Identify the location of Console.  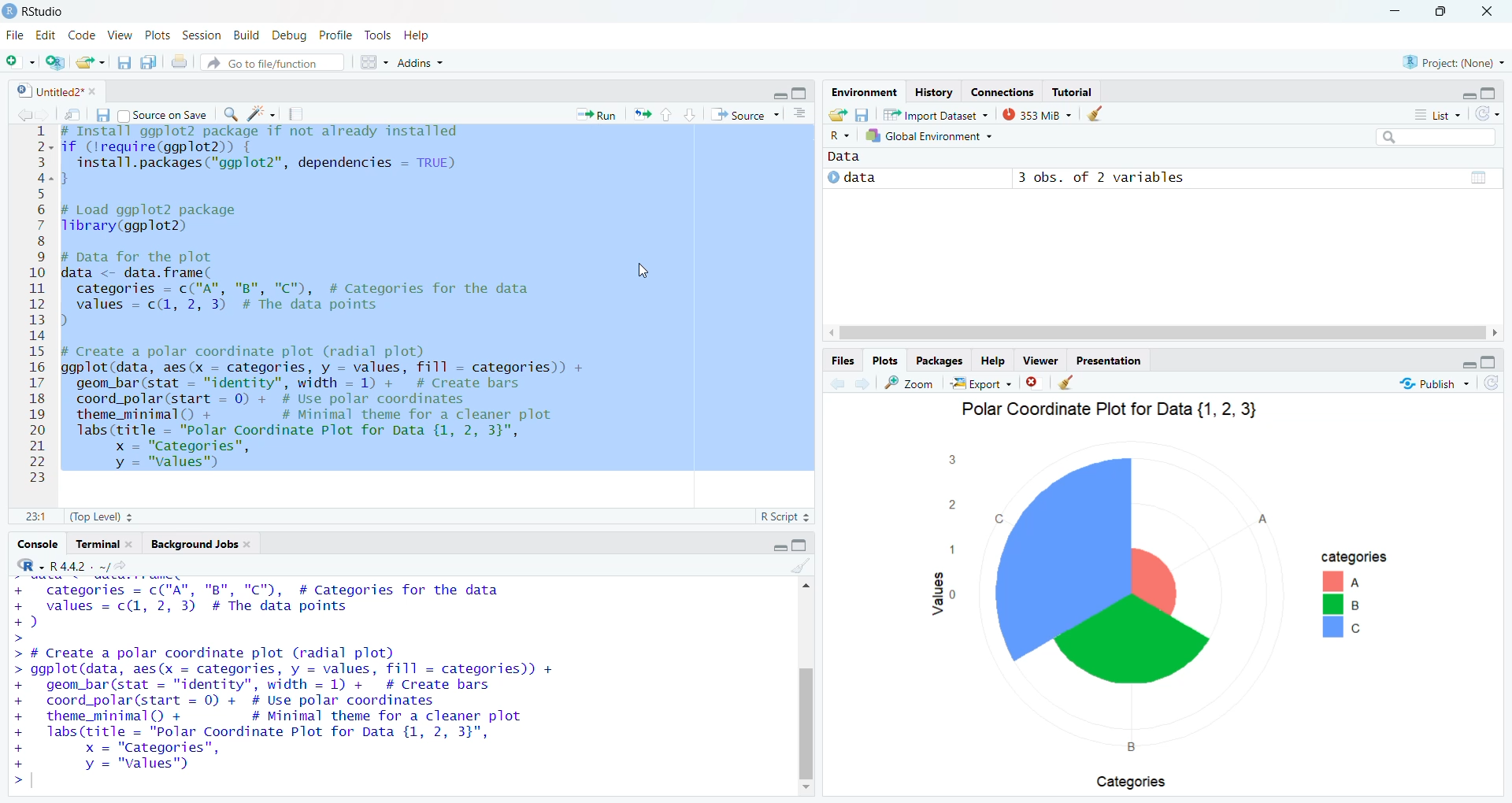
(35, 546).